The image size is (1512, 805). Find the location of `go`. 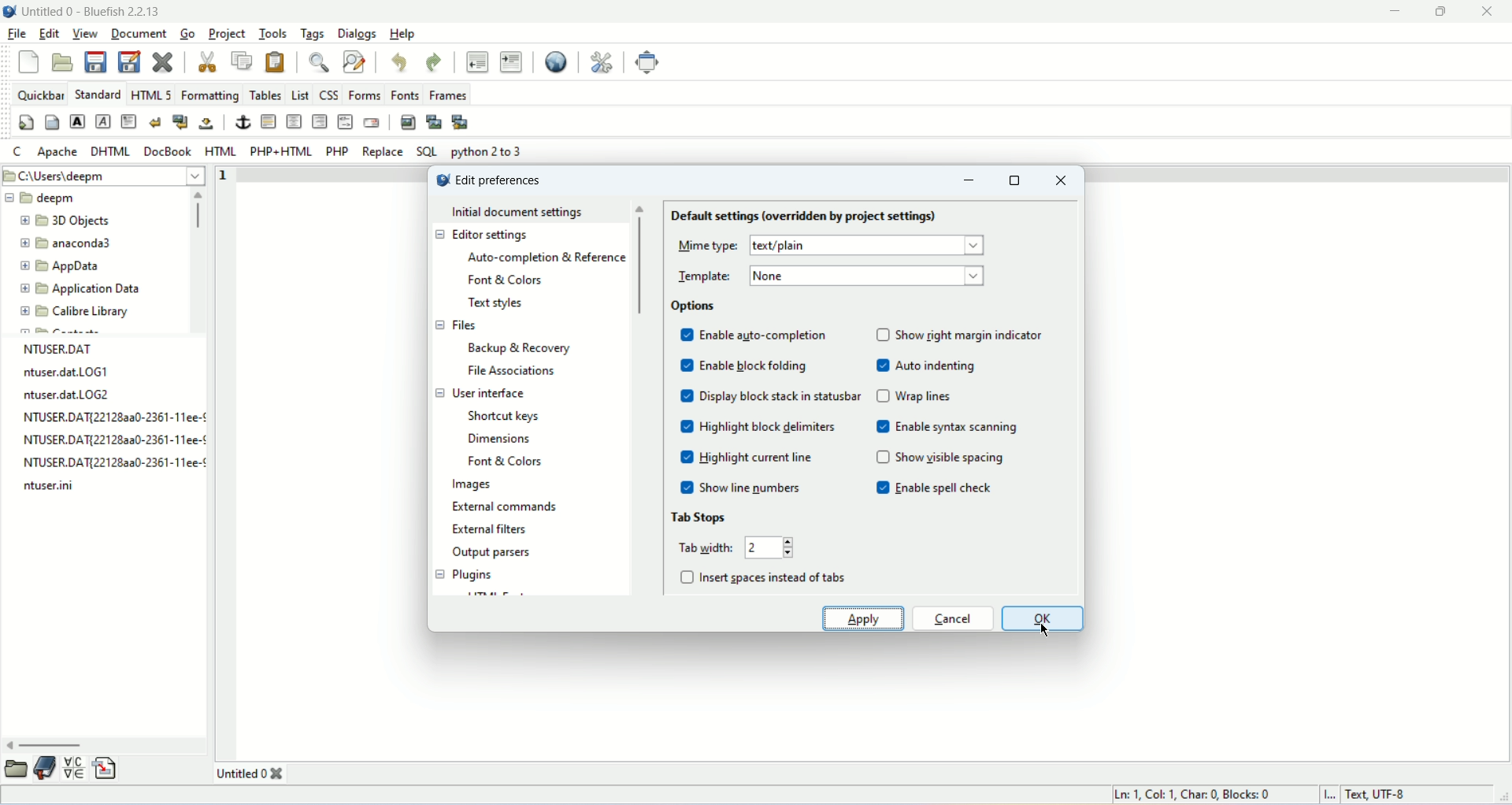

go is located at coordinates (186, 34).